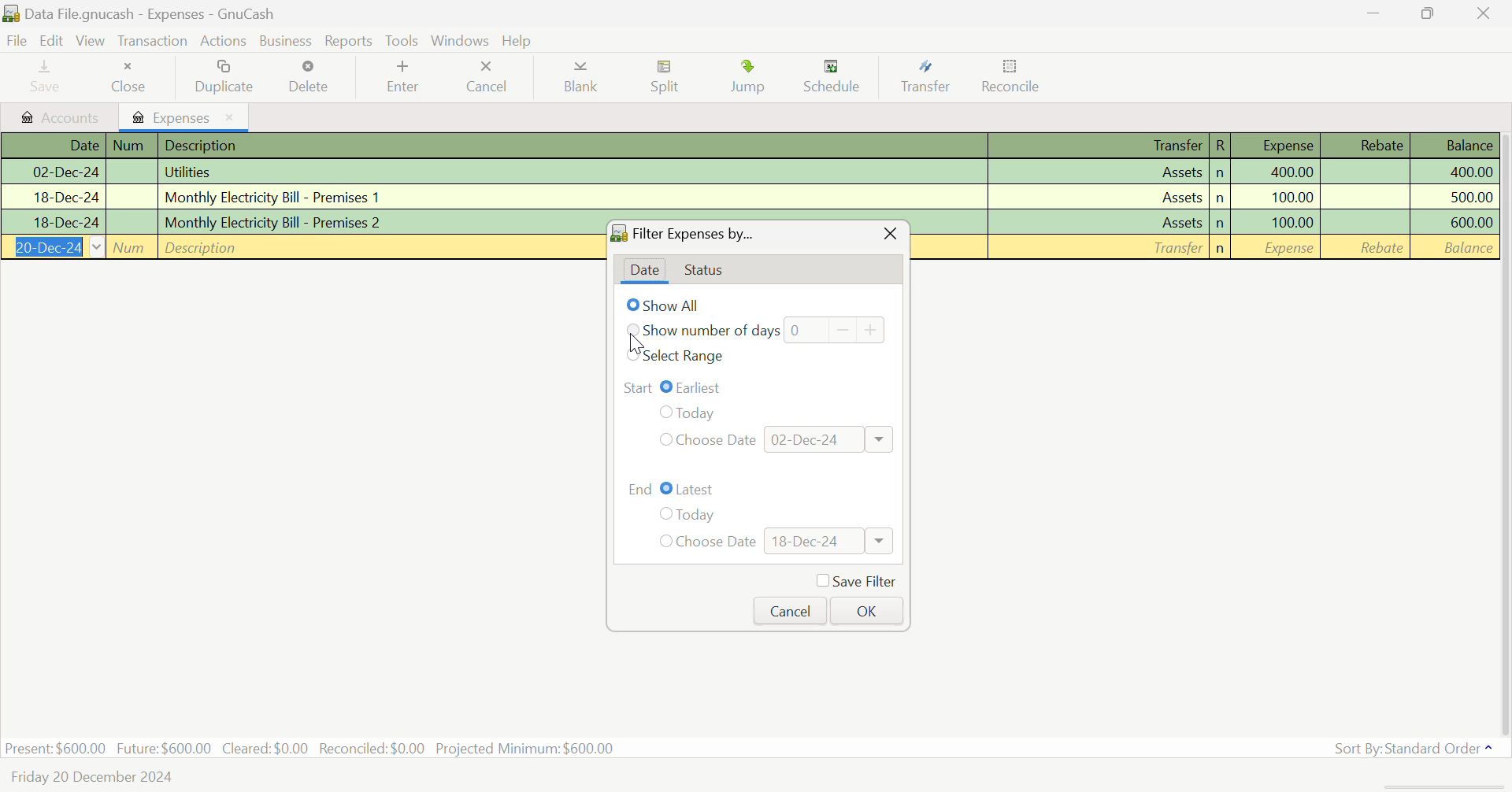 The width and height of the screenshot is (1512, 792). What do you see at coordinates (1100, 146) in the screenshot?
I see `Transfer` at bounding box center [1100, 146].